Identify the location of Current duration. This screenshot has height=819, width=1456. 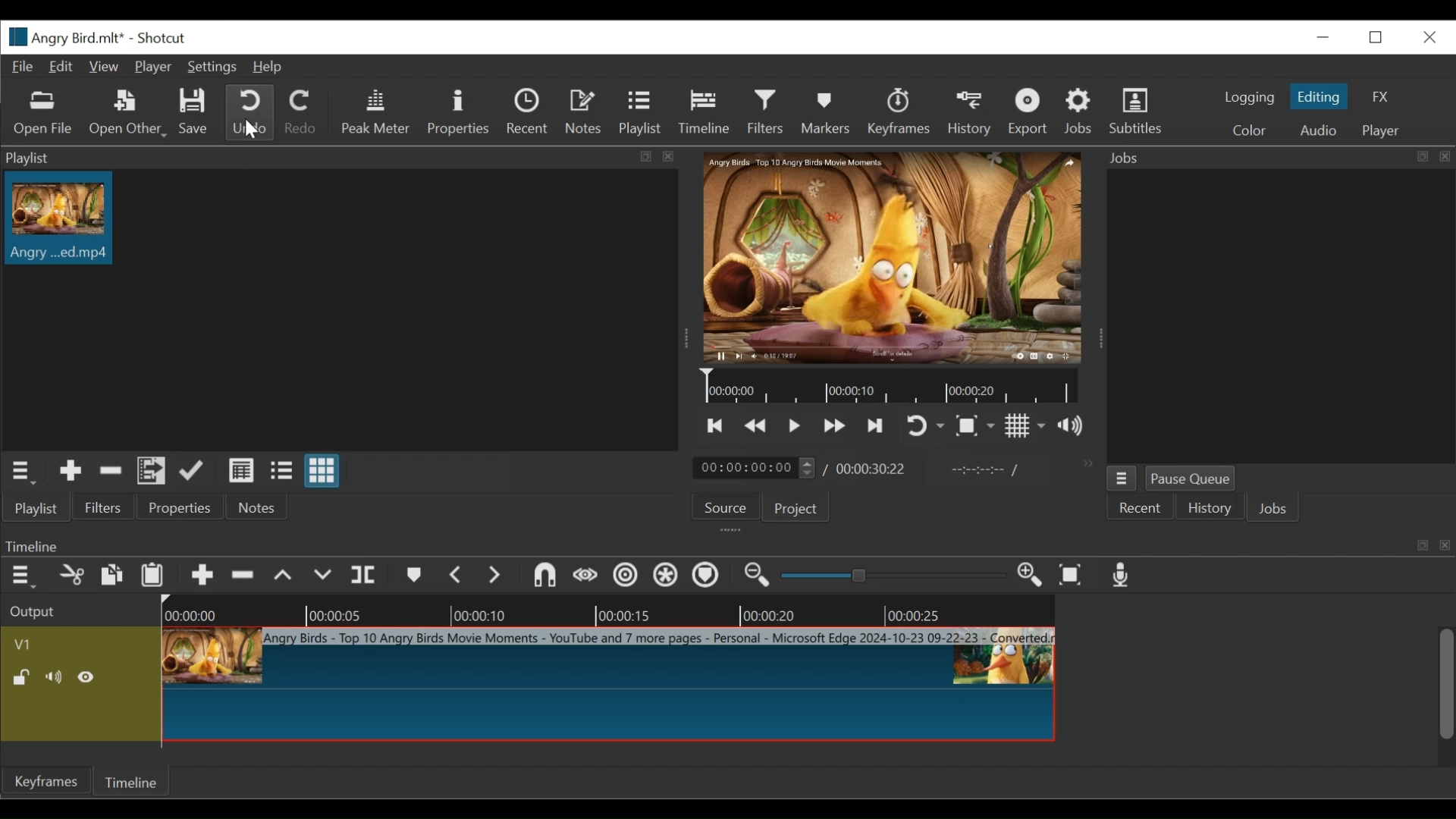
(755, 468).